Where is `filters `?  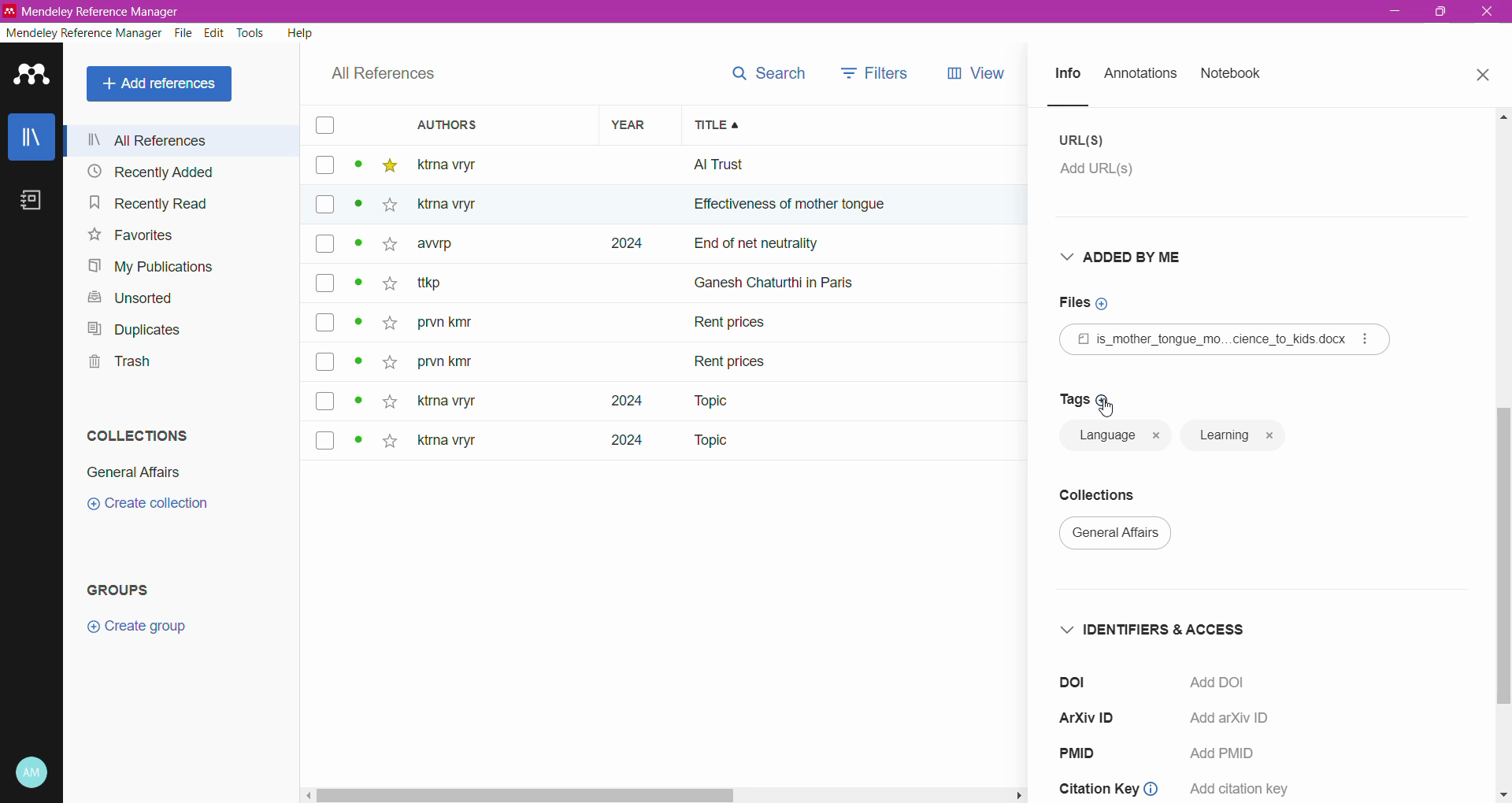
filters  is located at coordinates (875, 72).